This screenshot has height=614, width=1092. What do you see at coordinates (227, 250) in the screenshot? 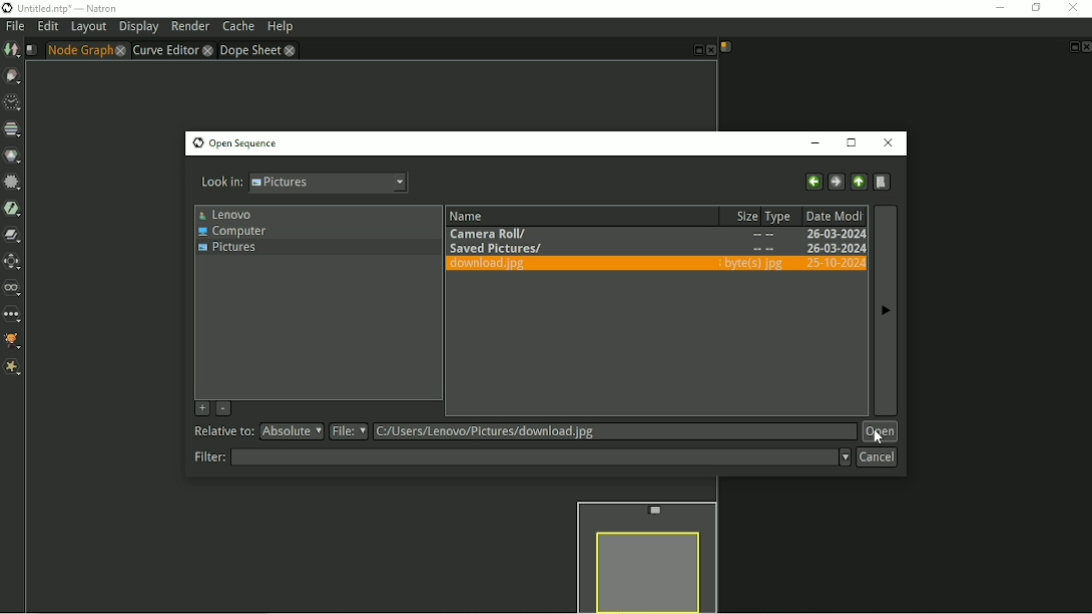
I see `Pictures` at bounding box center [227, 250].